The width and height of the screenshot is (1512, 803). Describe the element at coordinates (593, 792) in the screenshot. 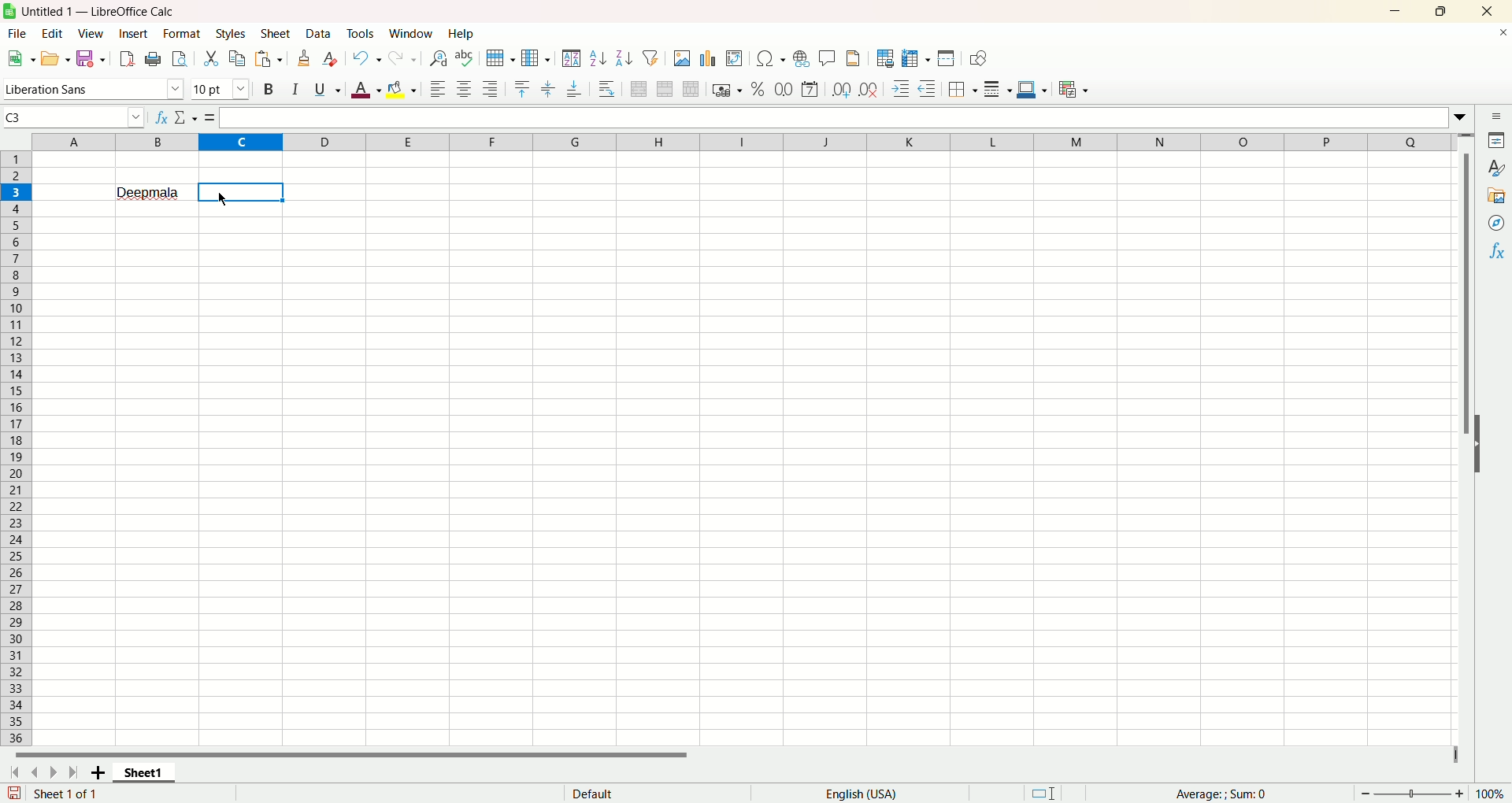

I see `Text` at that location.